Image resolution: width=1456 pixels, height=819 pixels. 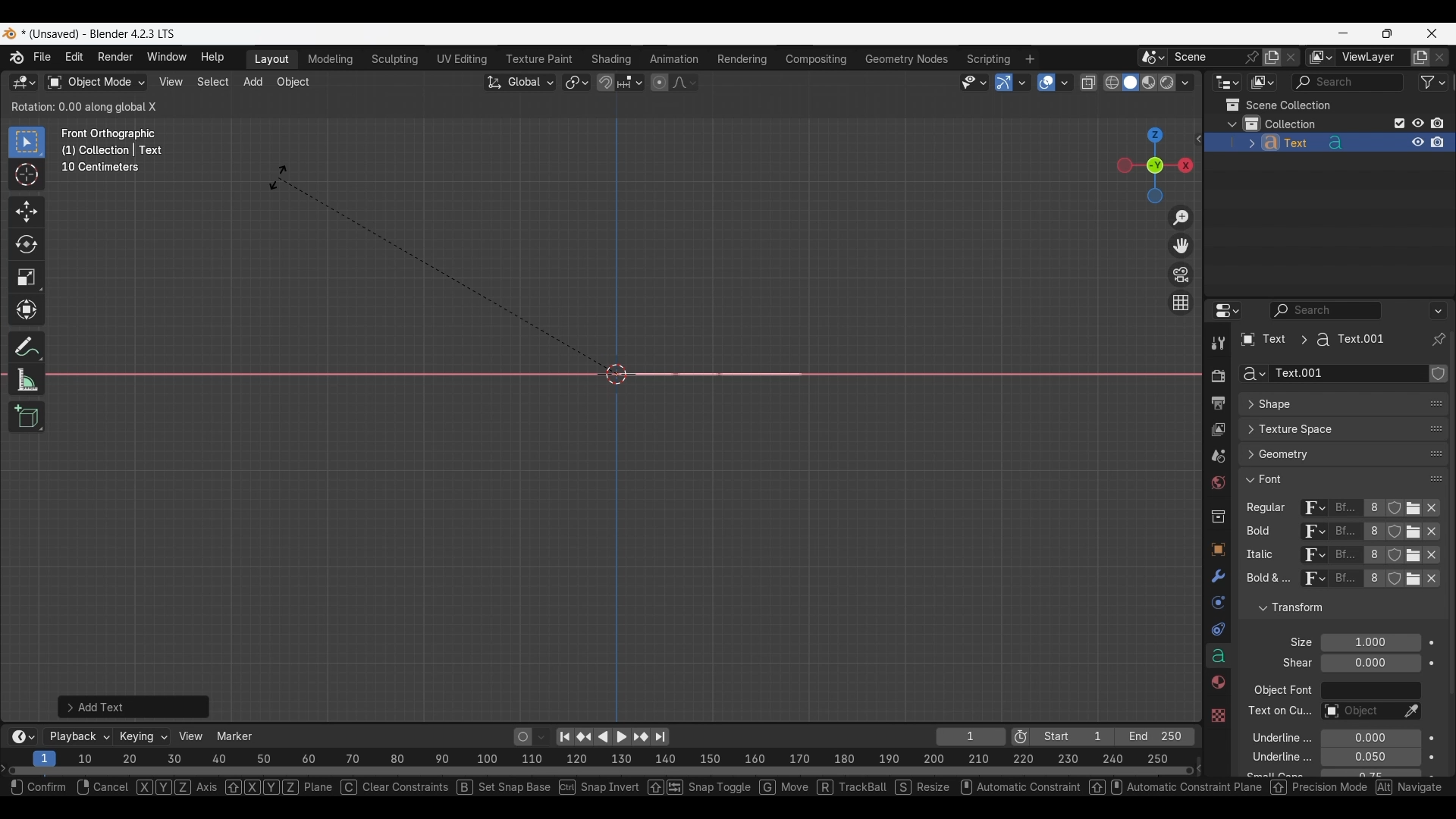 What do you see at coordinates (632, 82) in the screenshot?
I see `Snapping options` at bounding box center [632, 82].